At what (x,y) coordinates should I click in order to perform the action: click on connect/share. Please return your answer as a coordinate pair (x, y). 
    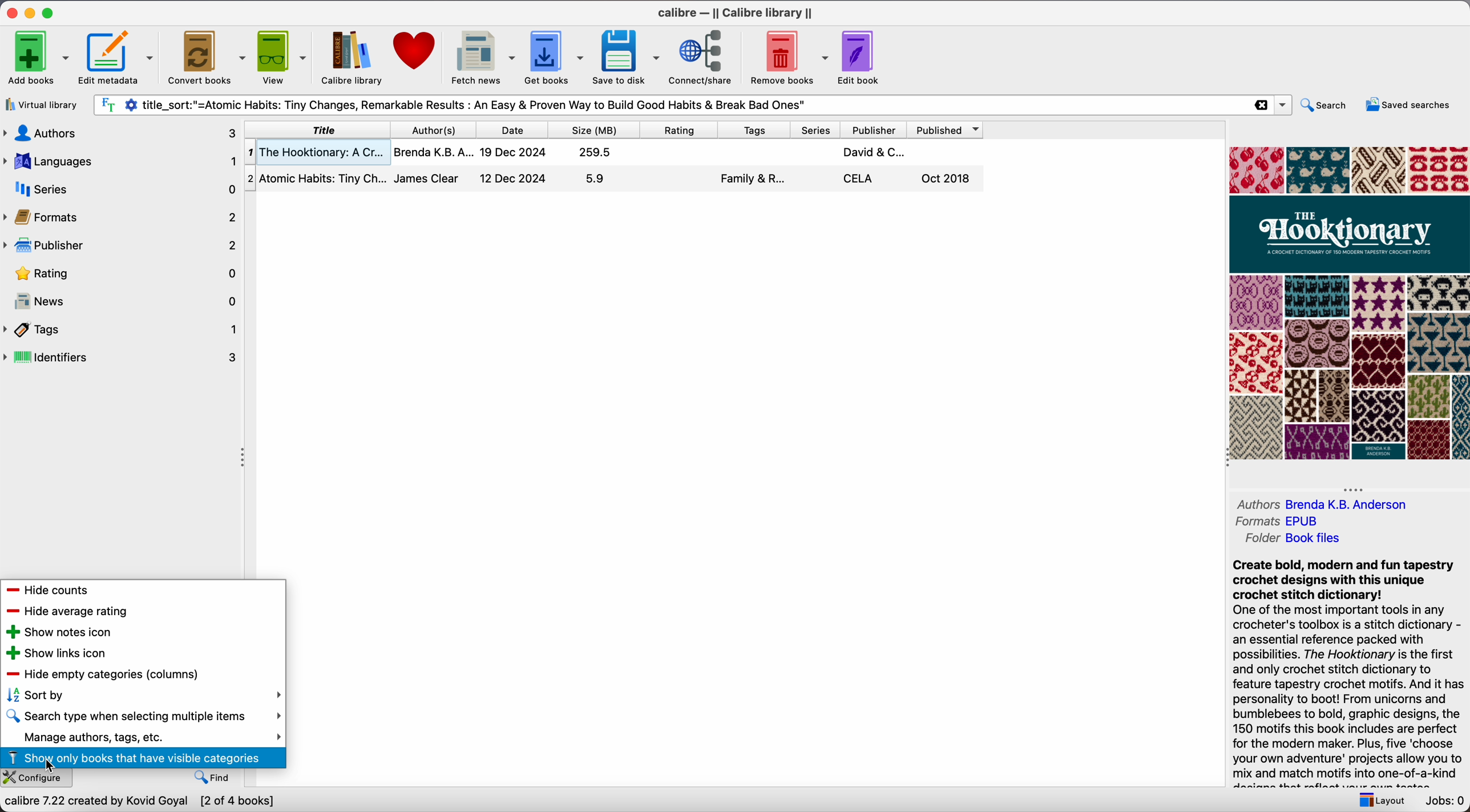
    Looking at the image, I should click on (705, 56).